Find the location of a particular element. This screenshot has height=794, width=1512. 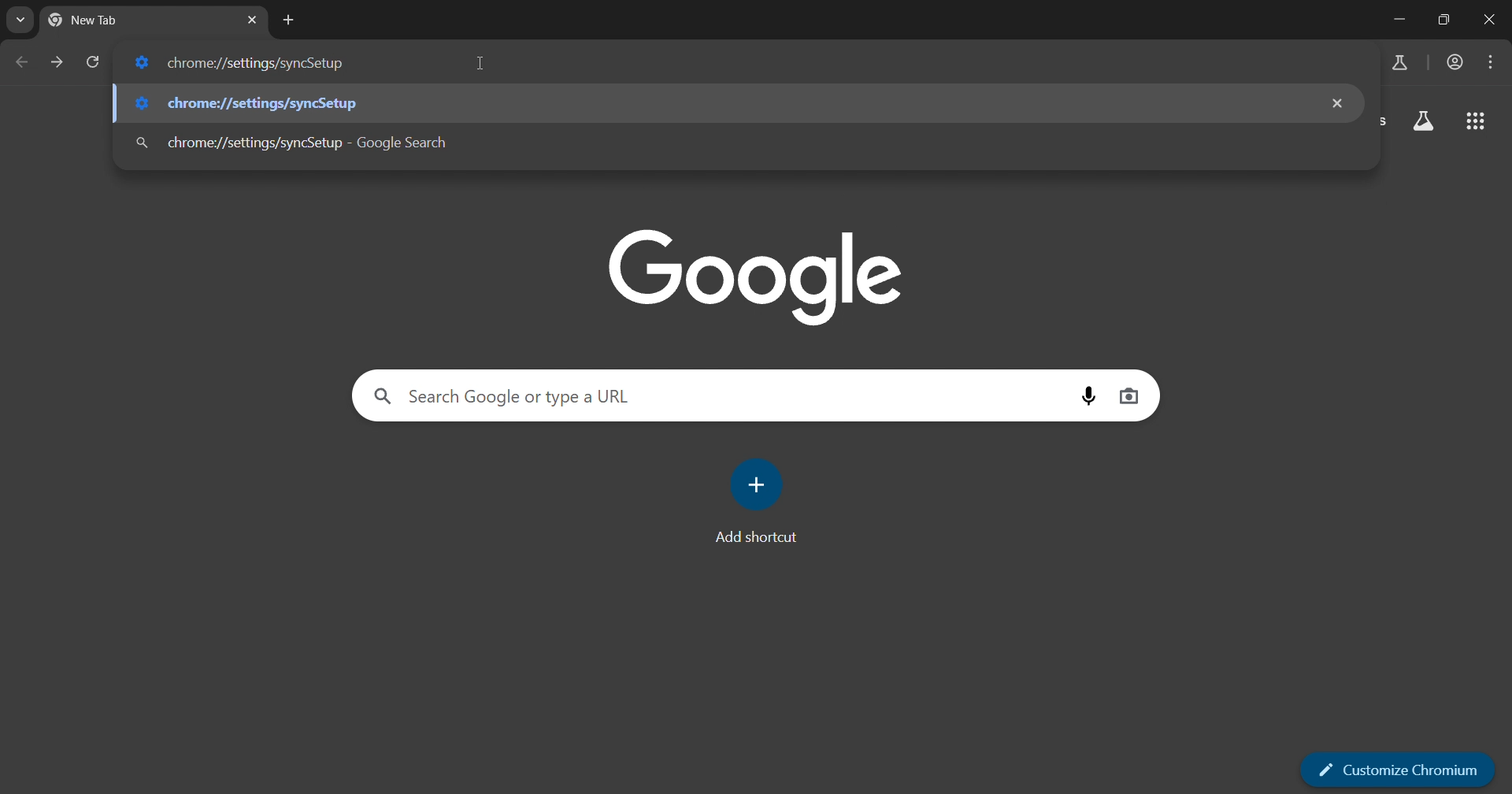

search labs is located at coordinates (1397, 61).